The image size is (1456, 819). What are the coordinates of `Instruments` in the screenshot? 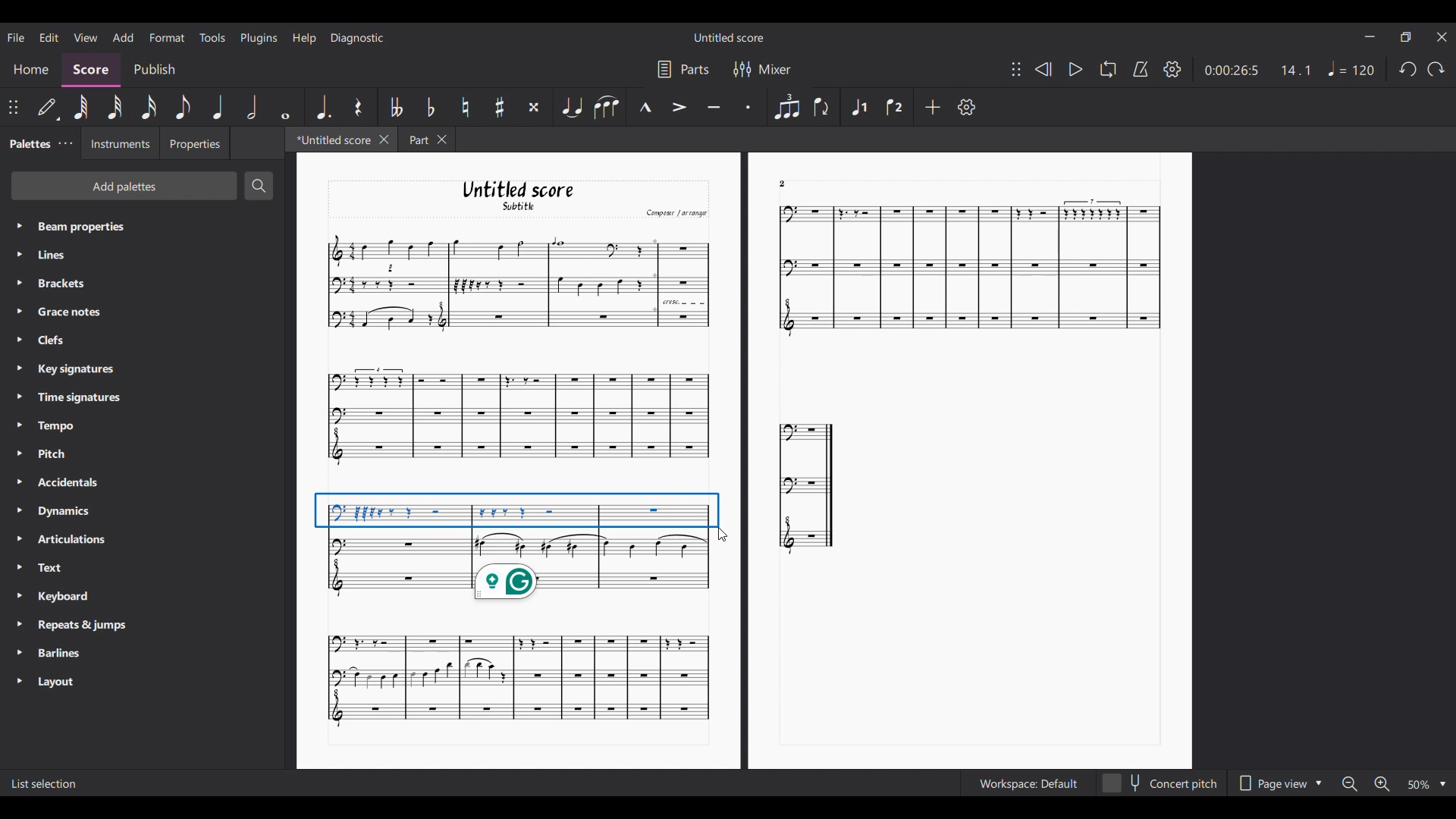 It's located at (116, 143).